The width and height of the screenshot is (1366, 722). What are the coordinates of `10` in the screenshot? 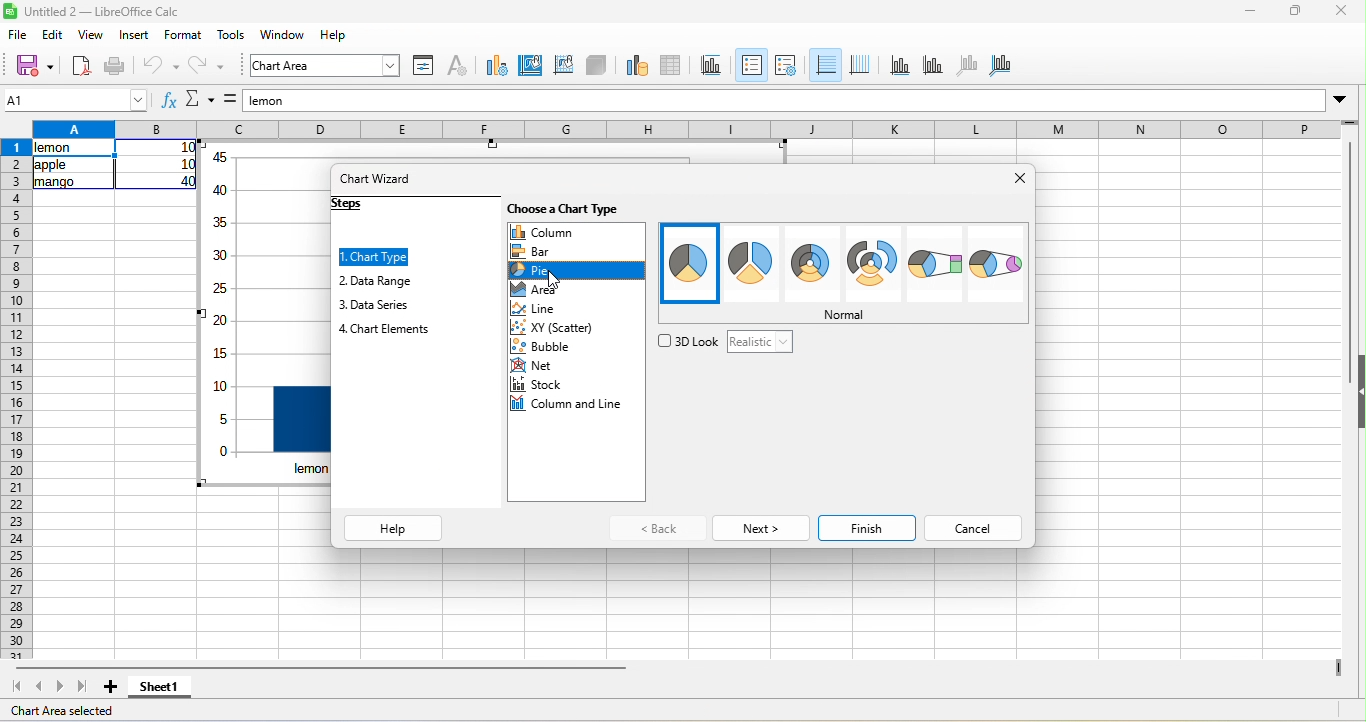 It's located at (188, 148).